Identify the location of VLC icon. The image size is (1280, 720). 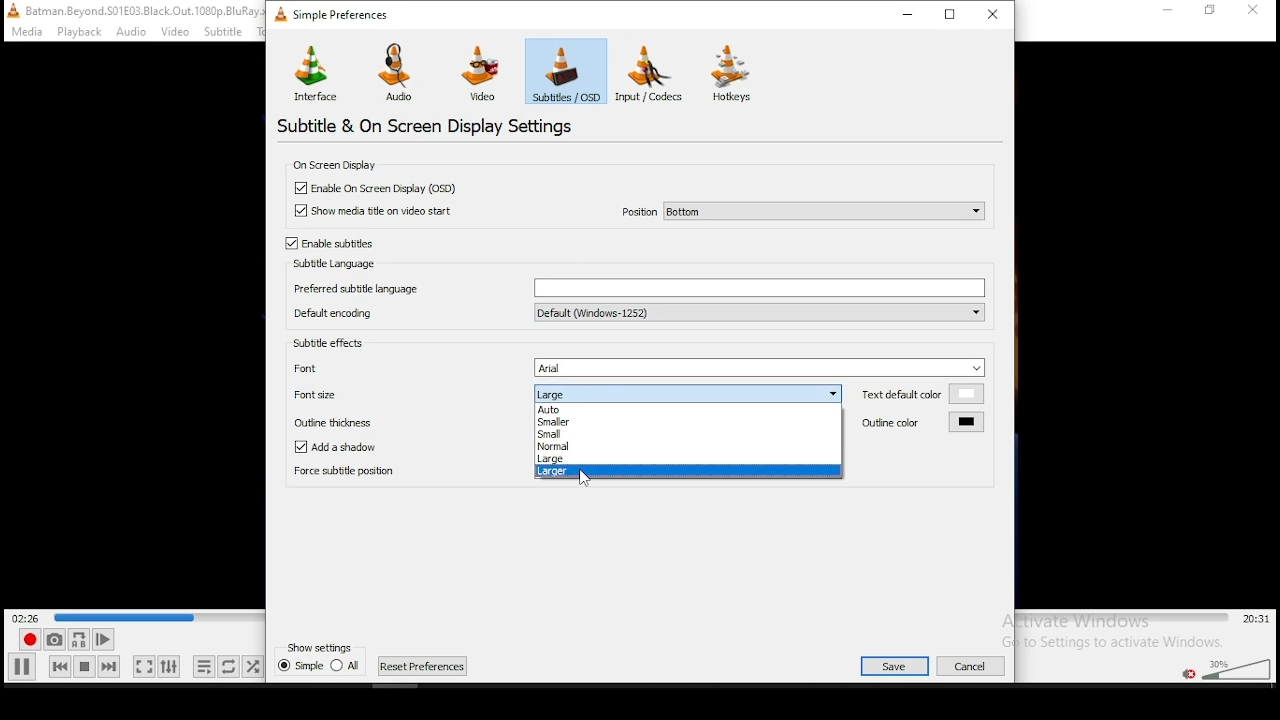
(12, 10).